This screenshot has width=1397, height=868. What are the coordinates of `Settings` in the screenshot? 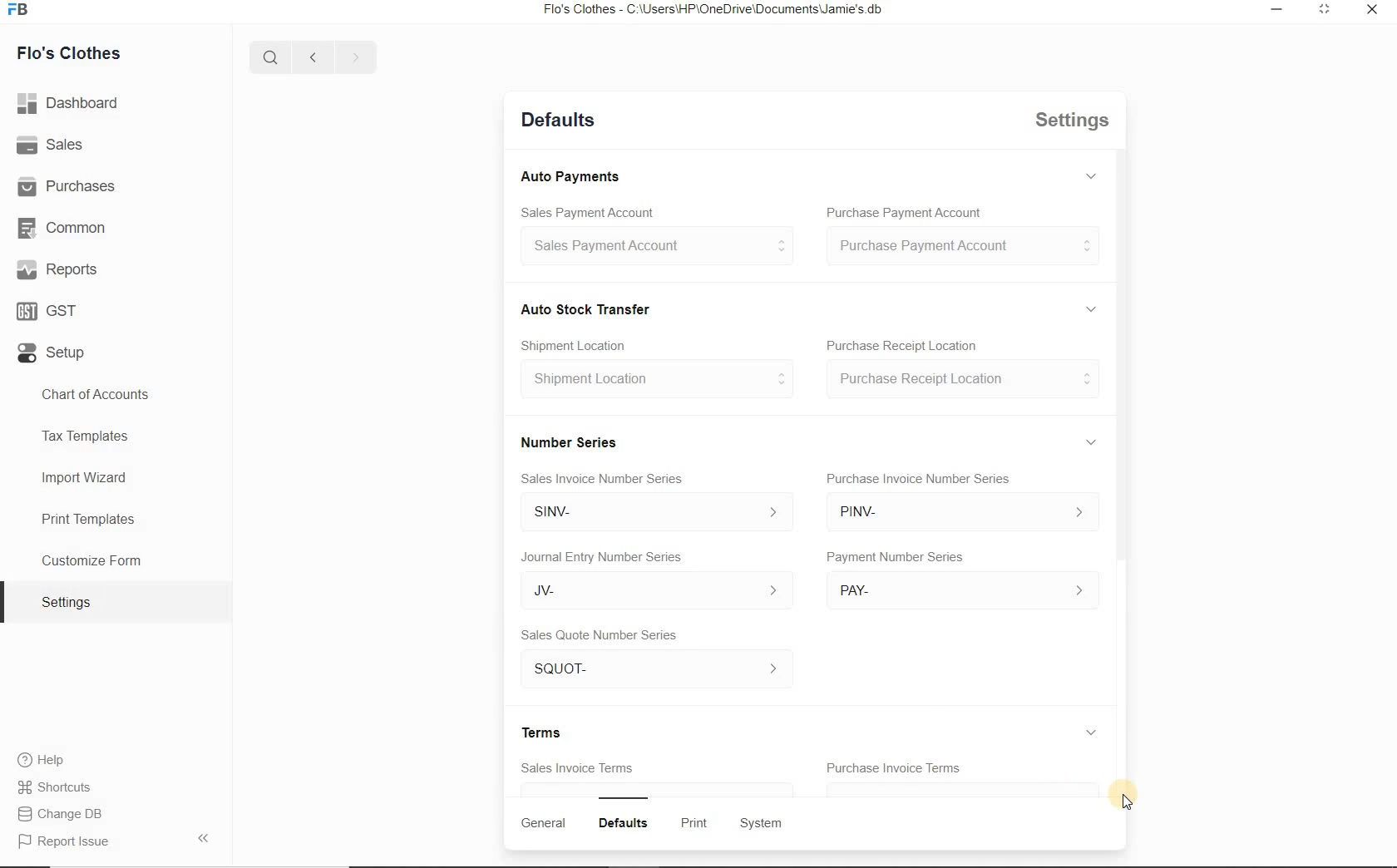 It's located at (1074, 120).